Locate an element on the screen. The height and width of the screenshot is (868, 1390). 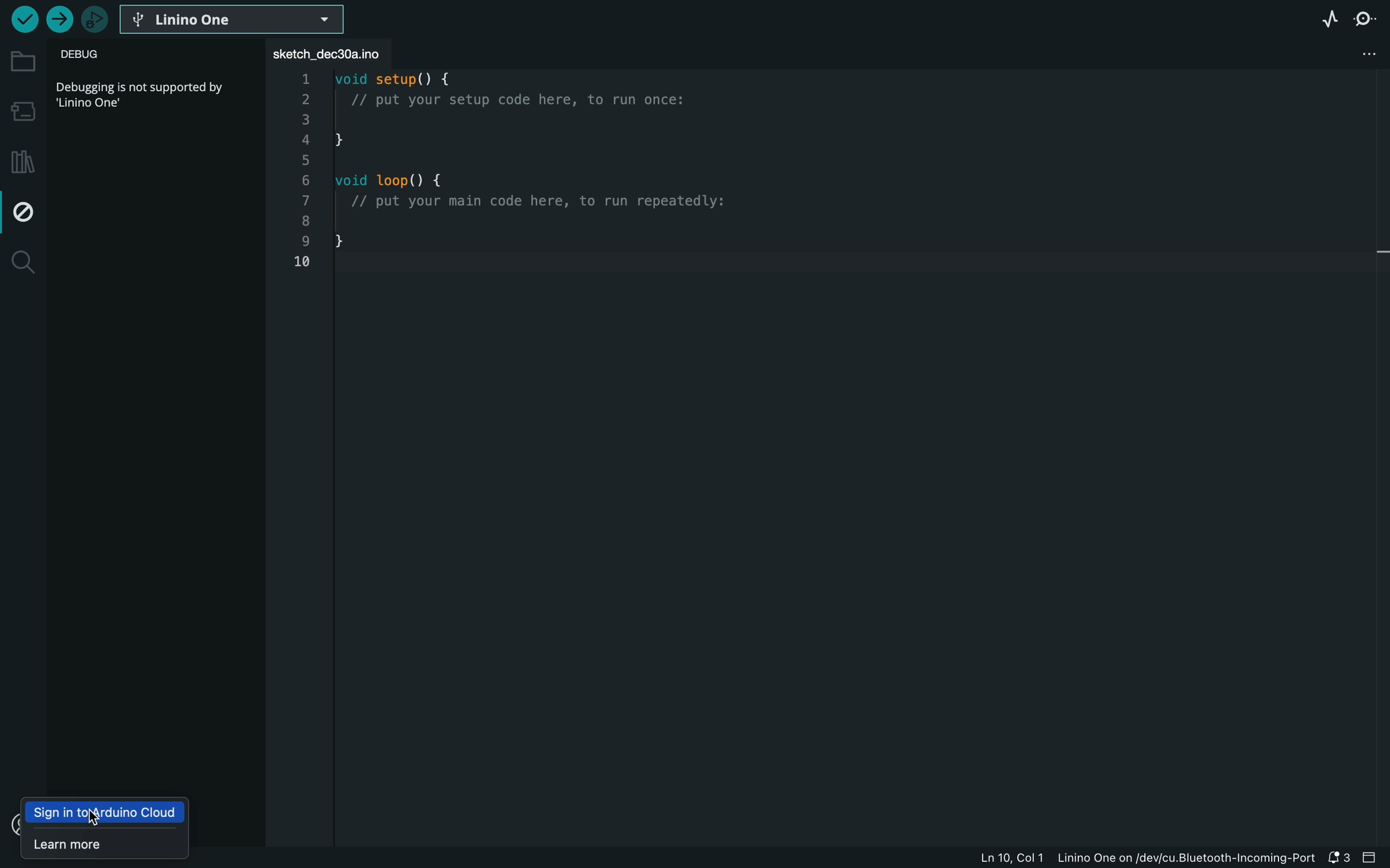
serial plotter is located at coordinates (1323, 18).